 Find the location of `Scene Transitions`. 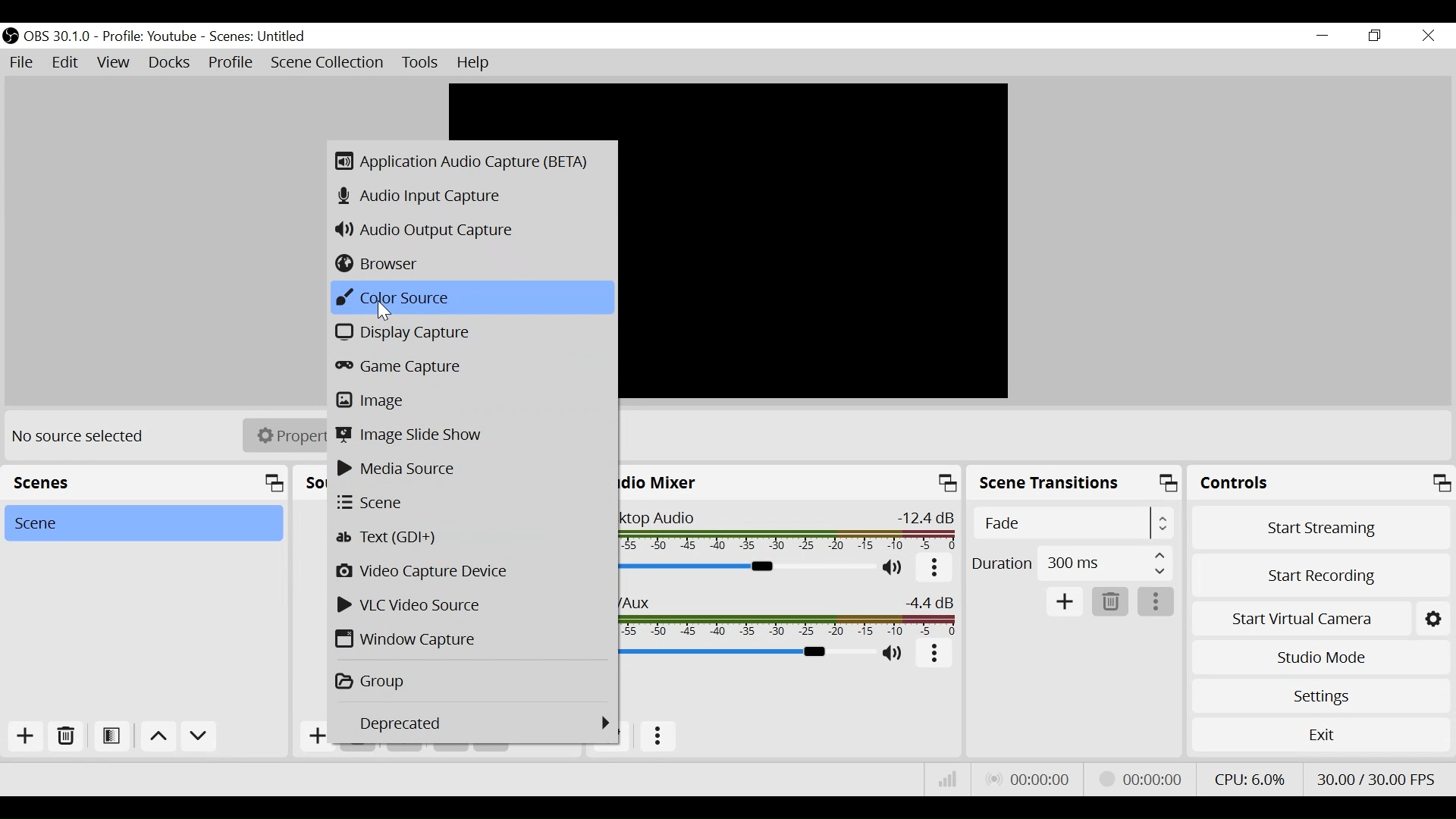

Scene Transitions is located at coordinates (1076, 485).